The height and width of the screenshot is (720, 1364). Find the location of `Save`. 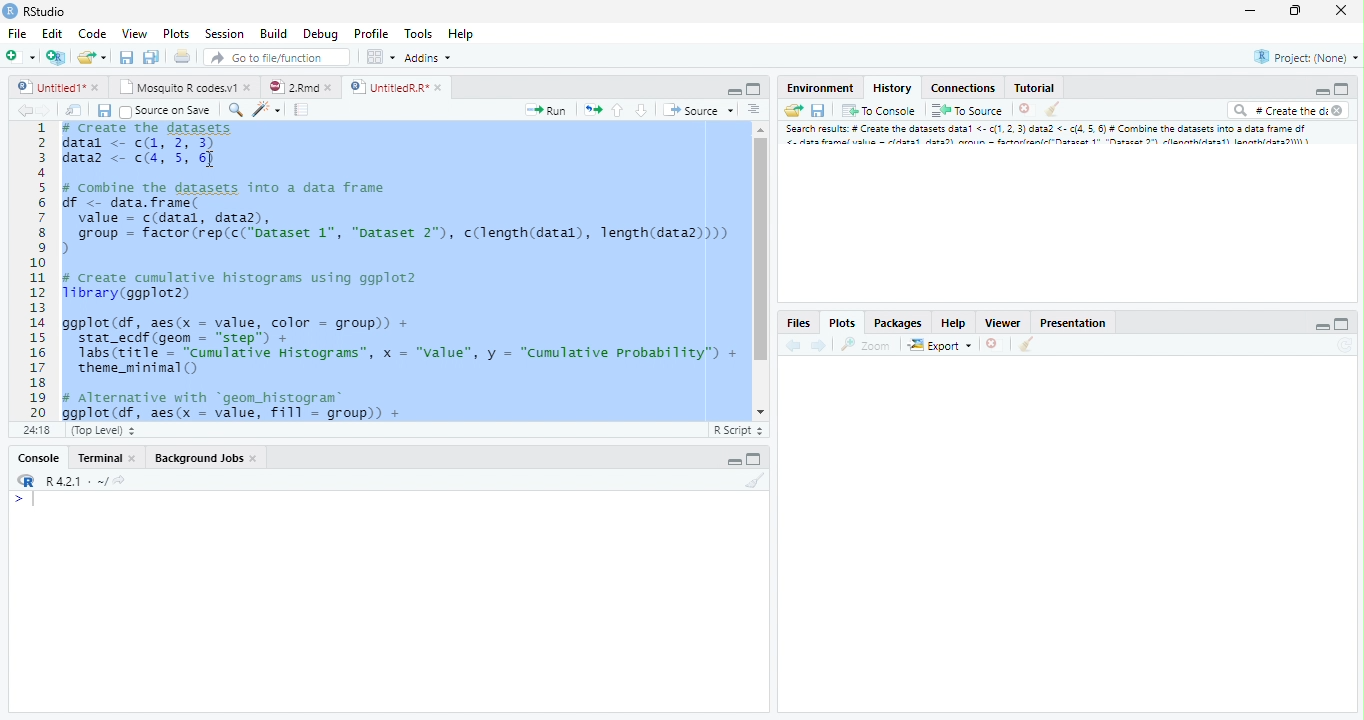

Save is located at coordinates (822, 109).